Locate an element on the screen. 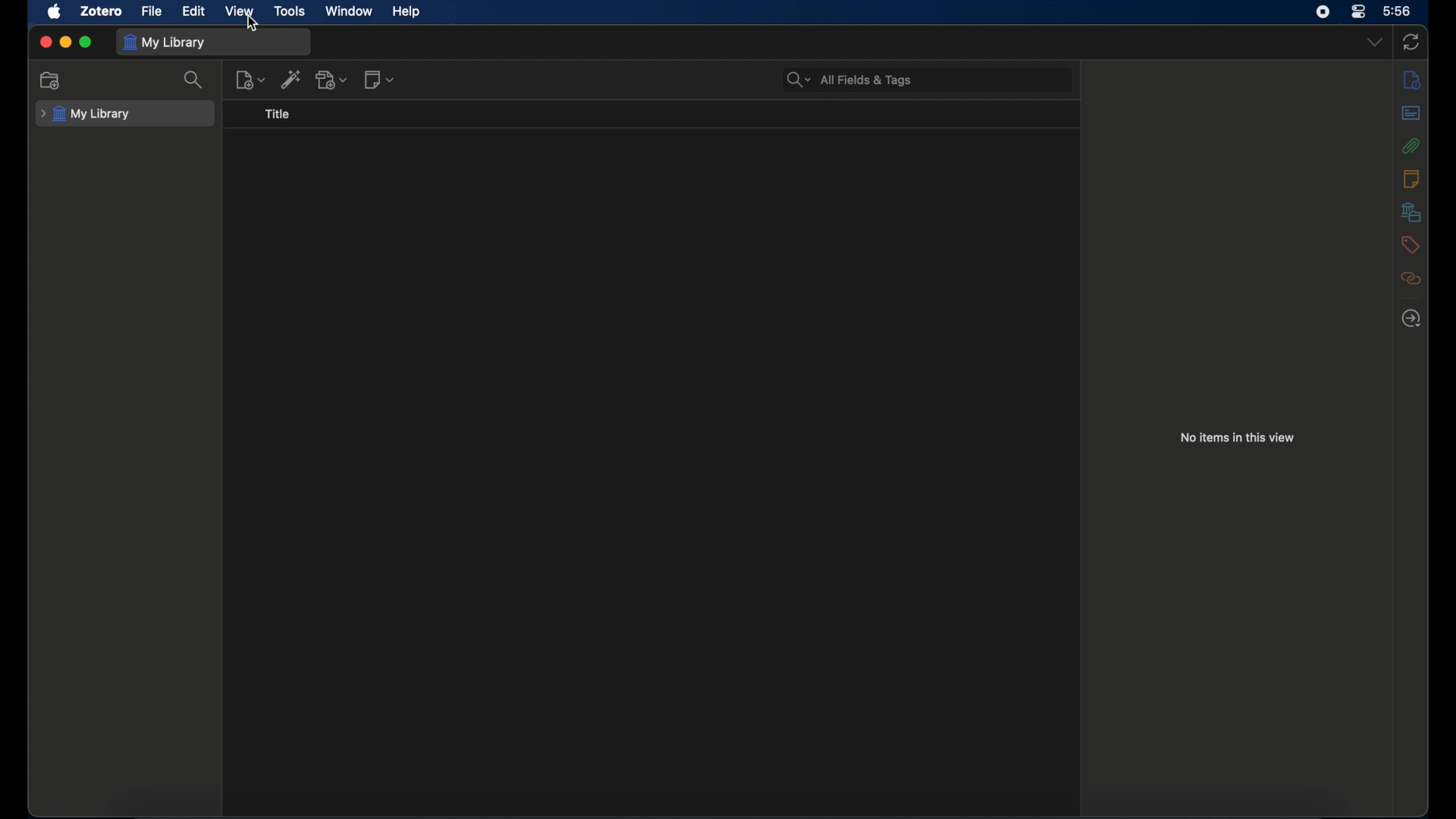 The width and height of the screenshot is (1456, 819). new item is located at coordinates (250, 80).